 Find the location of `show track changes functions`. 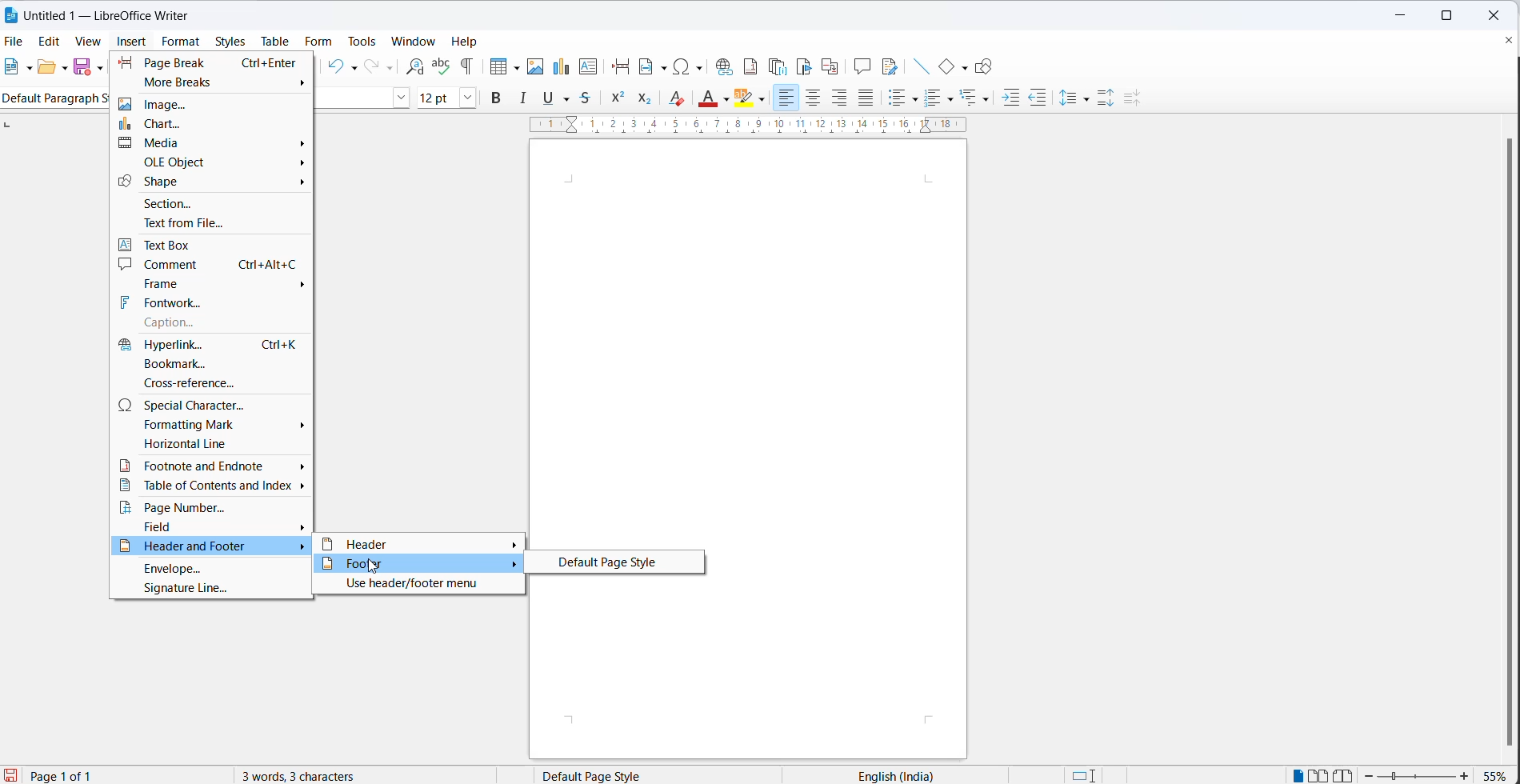

show track changes functions is located at coordinates (889, 66).